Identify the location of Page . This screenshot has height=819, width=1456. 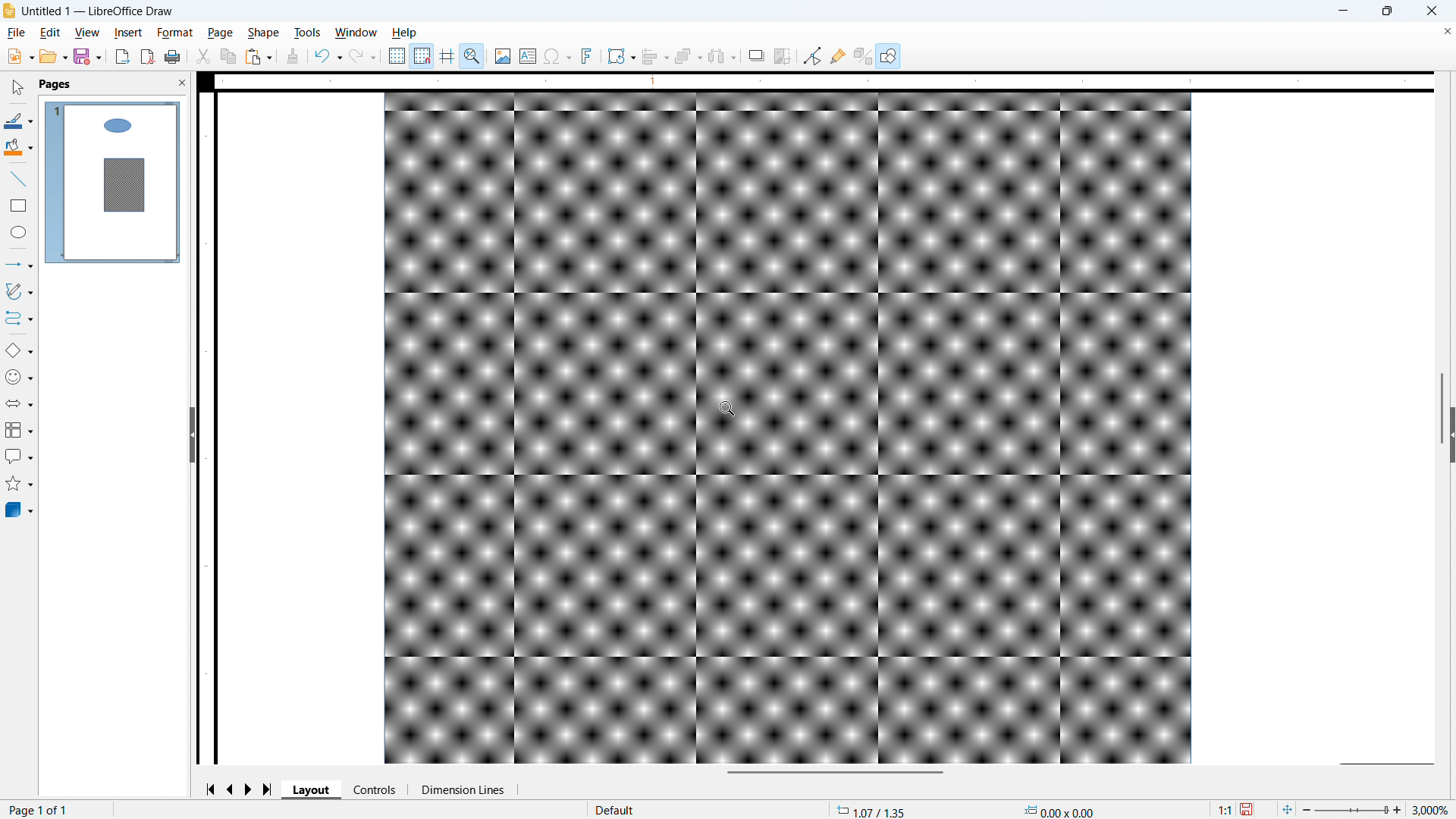
(827, 429).